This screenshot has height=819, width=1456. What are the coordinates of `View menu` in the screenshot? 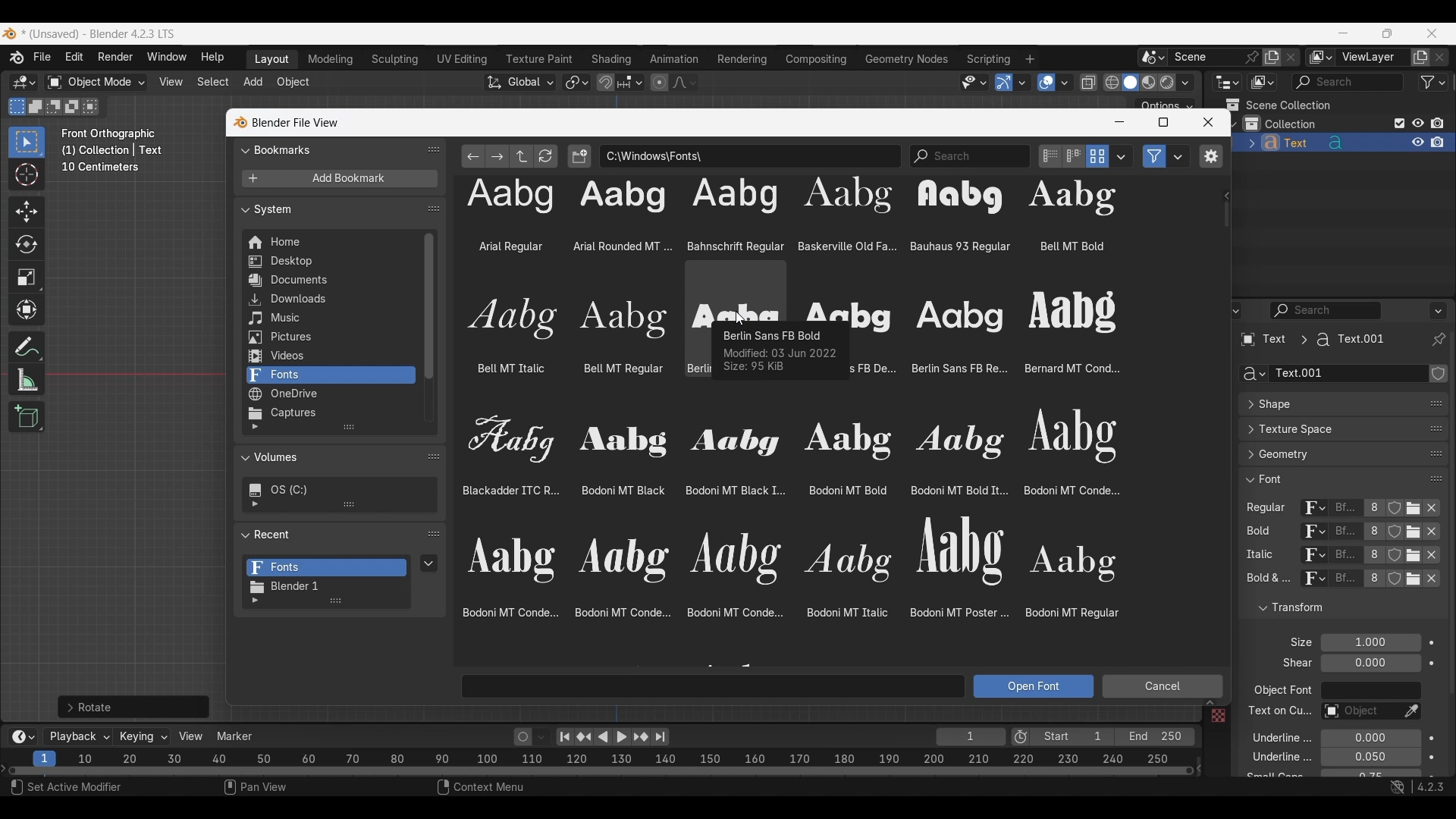 It's located at (170, 82).